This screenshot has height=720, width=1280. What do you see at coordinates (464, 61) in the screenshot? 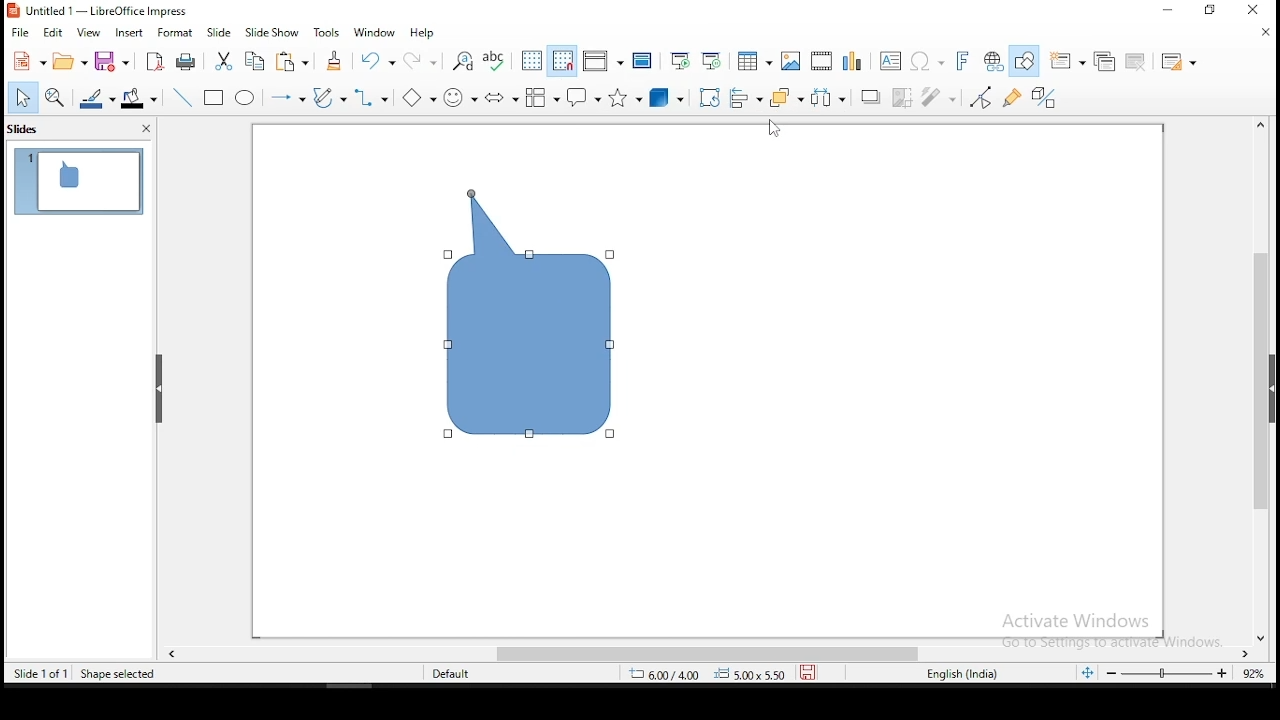
I see `find and replace` at bounding box center [464, 61].